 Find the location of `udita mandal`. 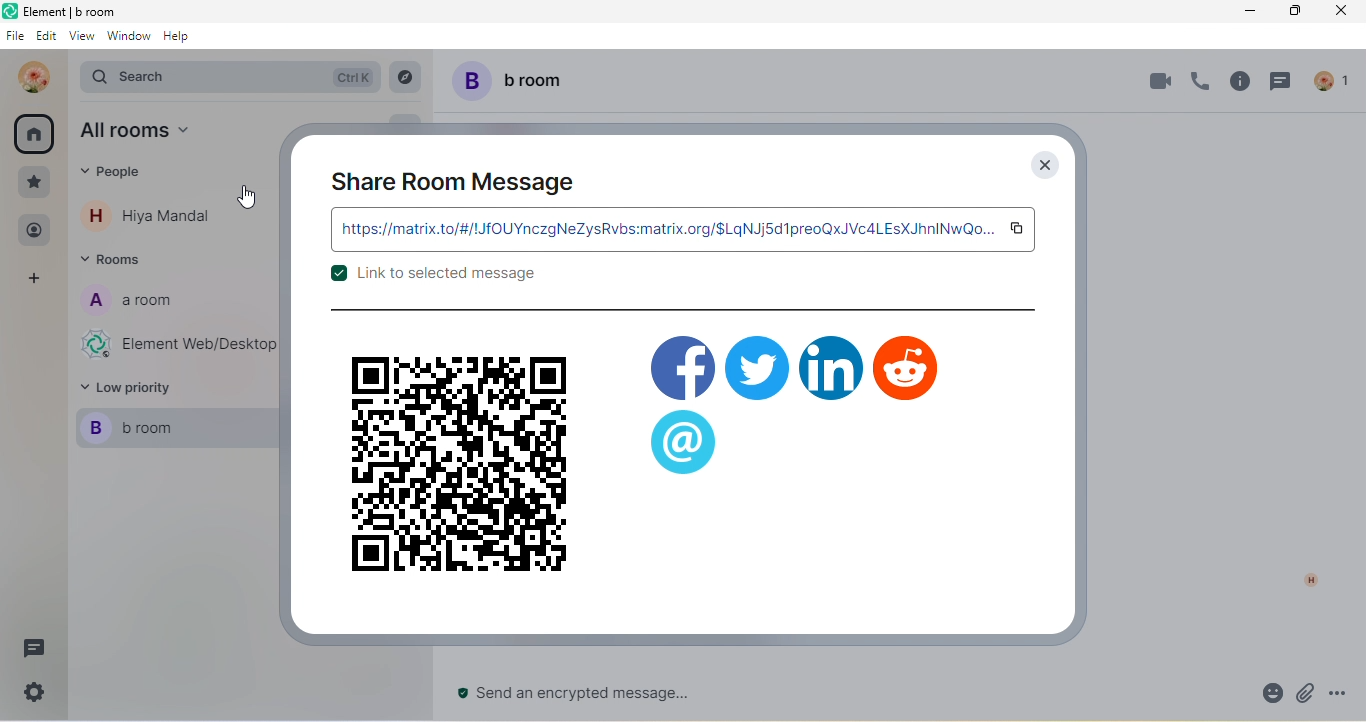

udita mandal is located at coordinates (29, 77).